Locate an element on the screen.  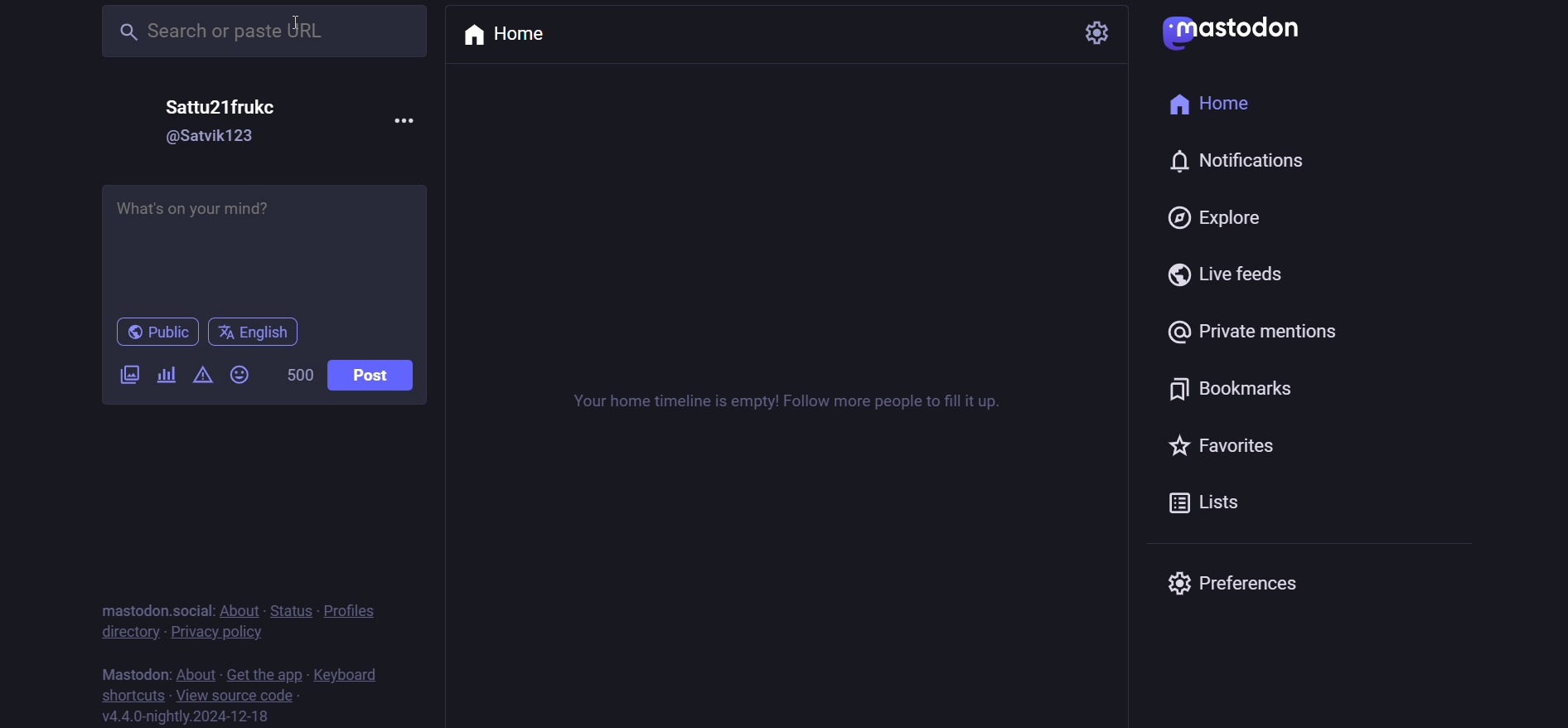
mastodon is located at coordinates (136, 670).